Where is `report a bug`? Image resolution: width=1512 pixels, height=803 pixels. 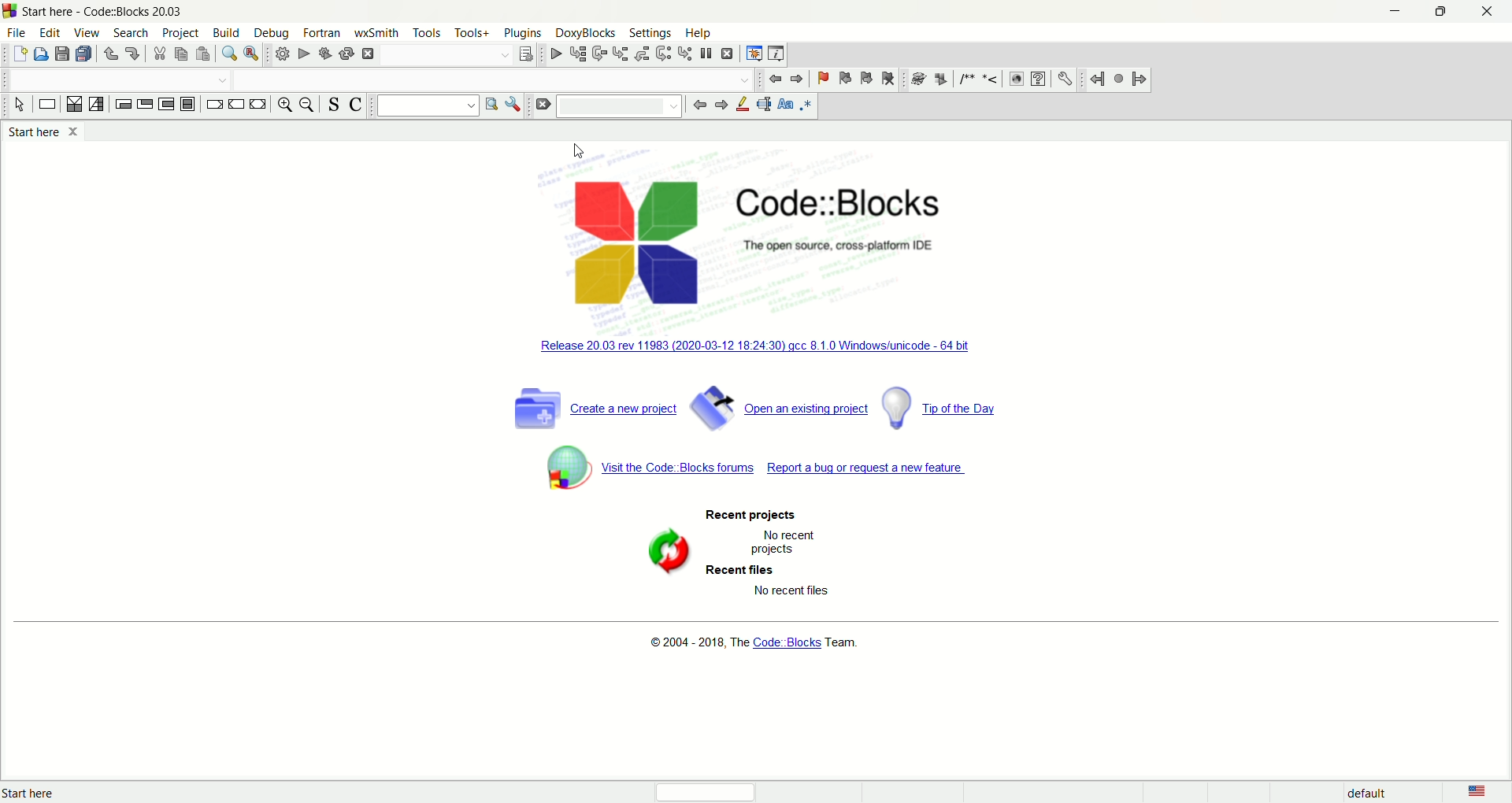
report a bug is located at coordinates (886, 472).